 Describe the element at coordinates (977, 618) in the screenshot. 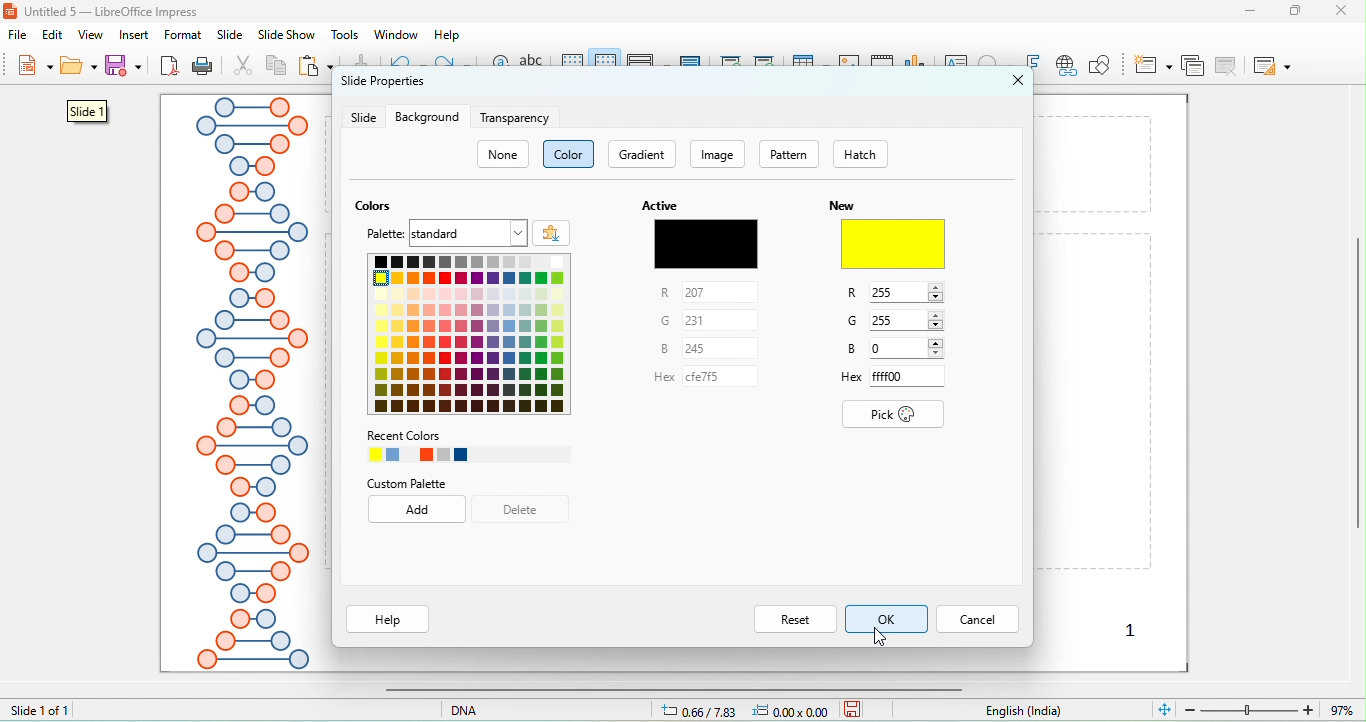

I see `cancel` at that location.